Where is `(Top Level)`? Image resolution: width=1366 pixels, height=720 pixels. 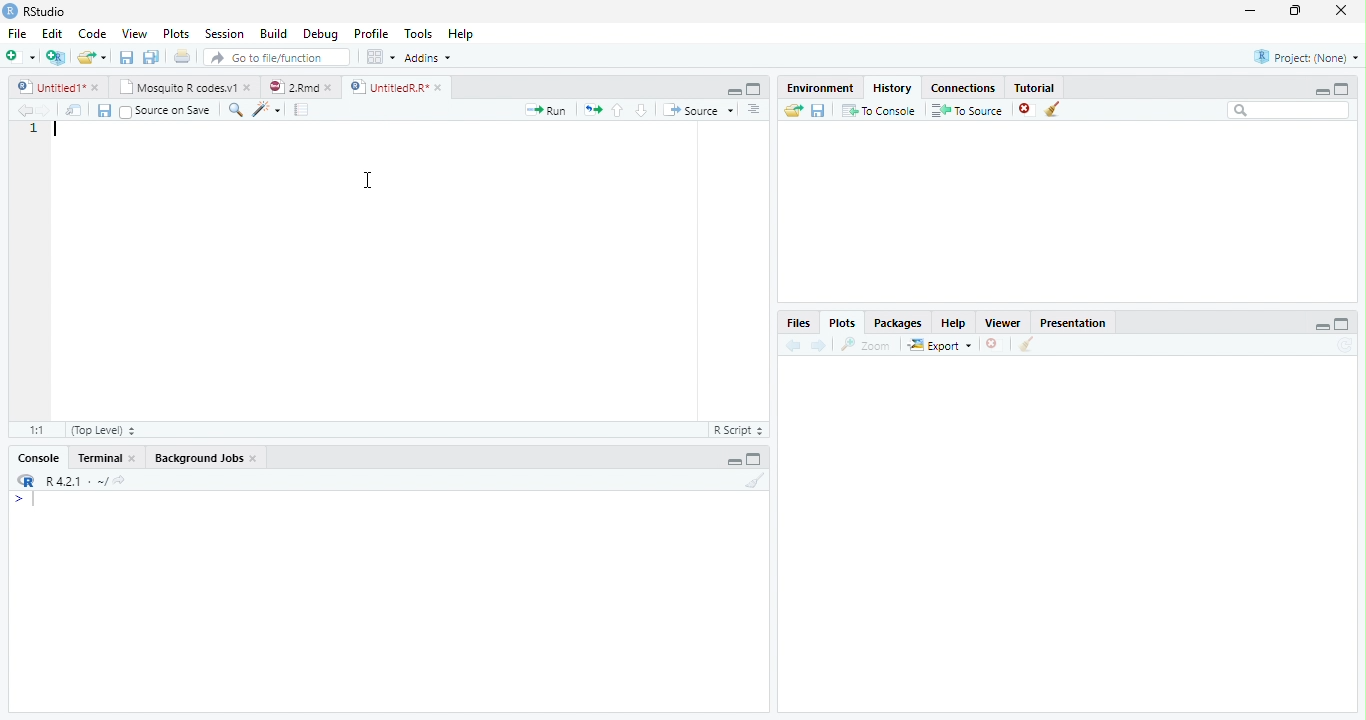 (Top Level) is located at coordinates (101, 429).